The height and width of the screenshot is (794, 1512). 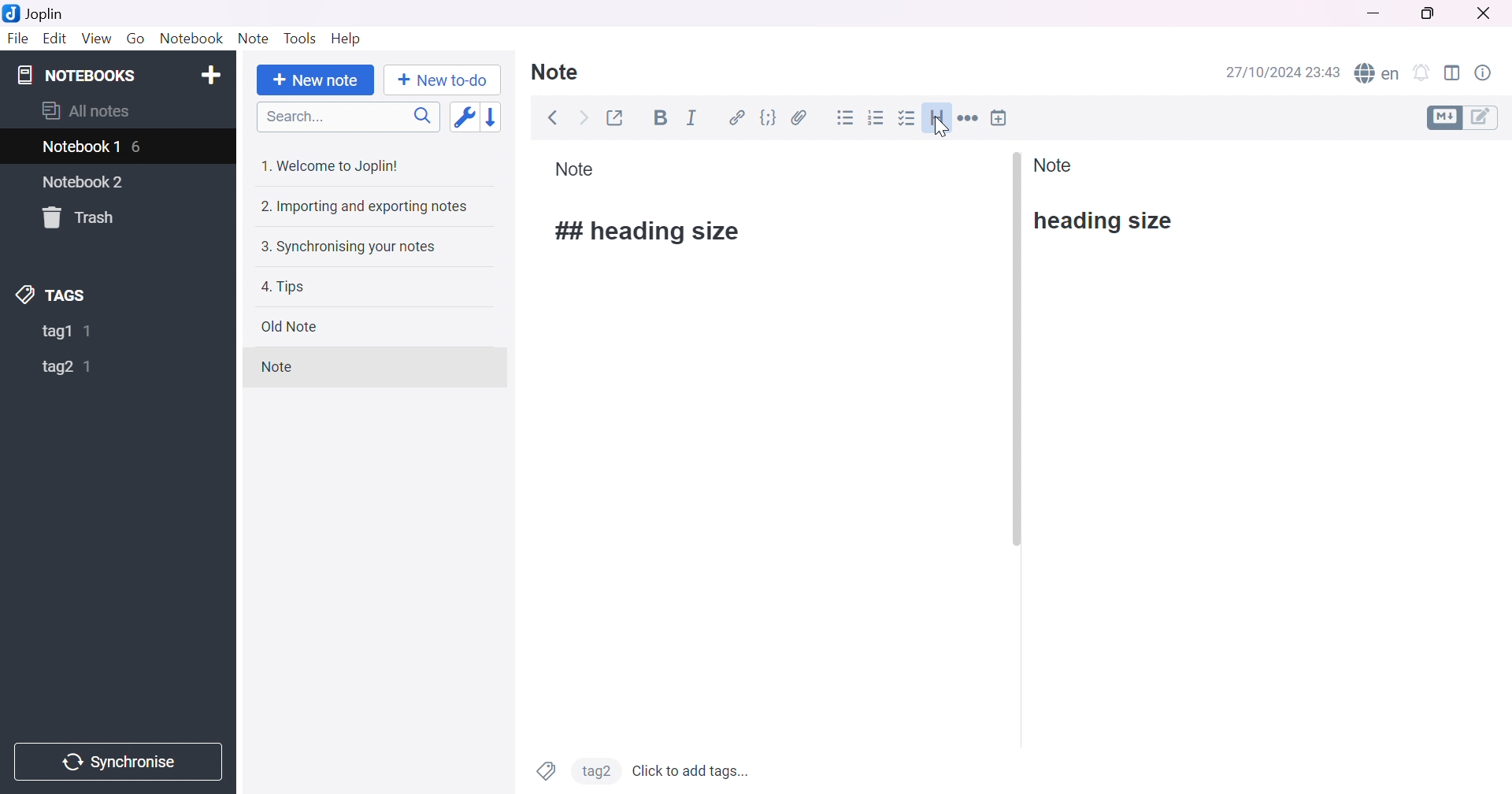 What do you see at coordinates (739, 118) in the screenshot?
I see `Hyperlink` at bounding box center [739, 118].